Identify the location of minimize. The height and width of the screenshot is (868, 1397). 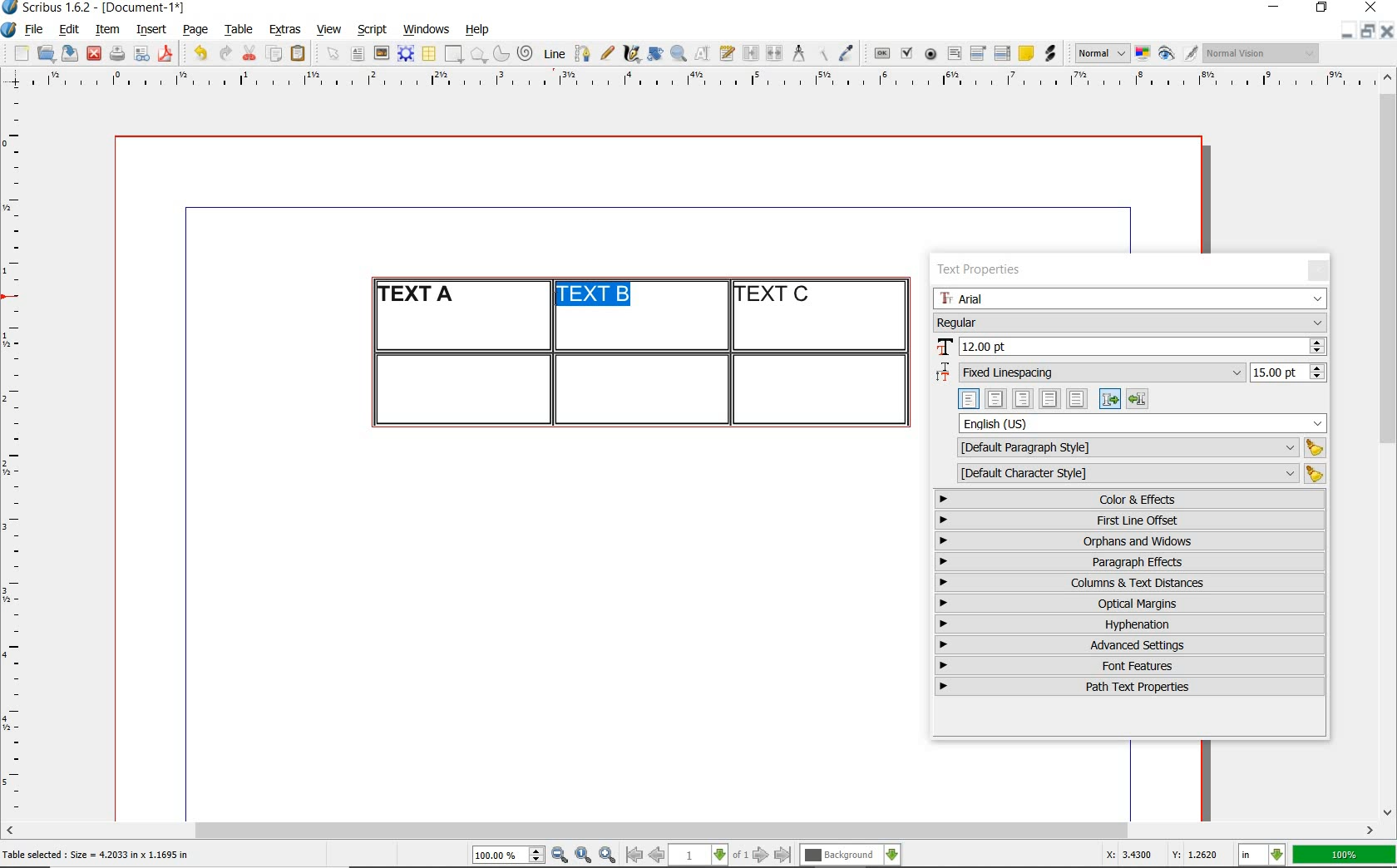
(1348, 30).